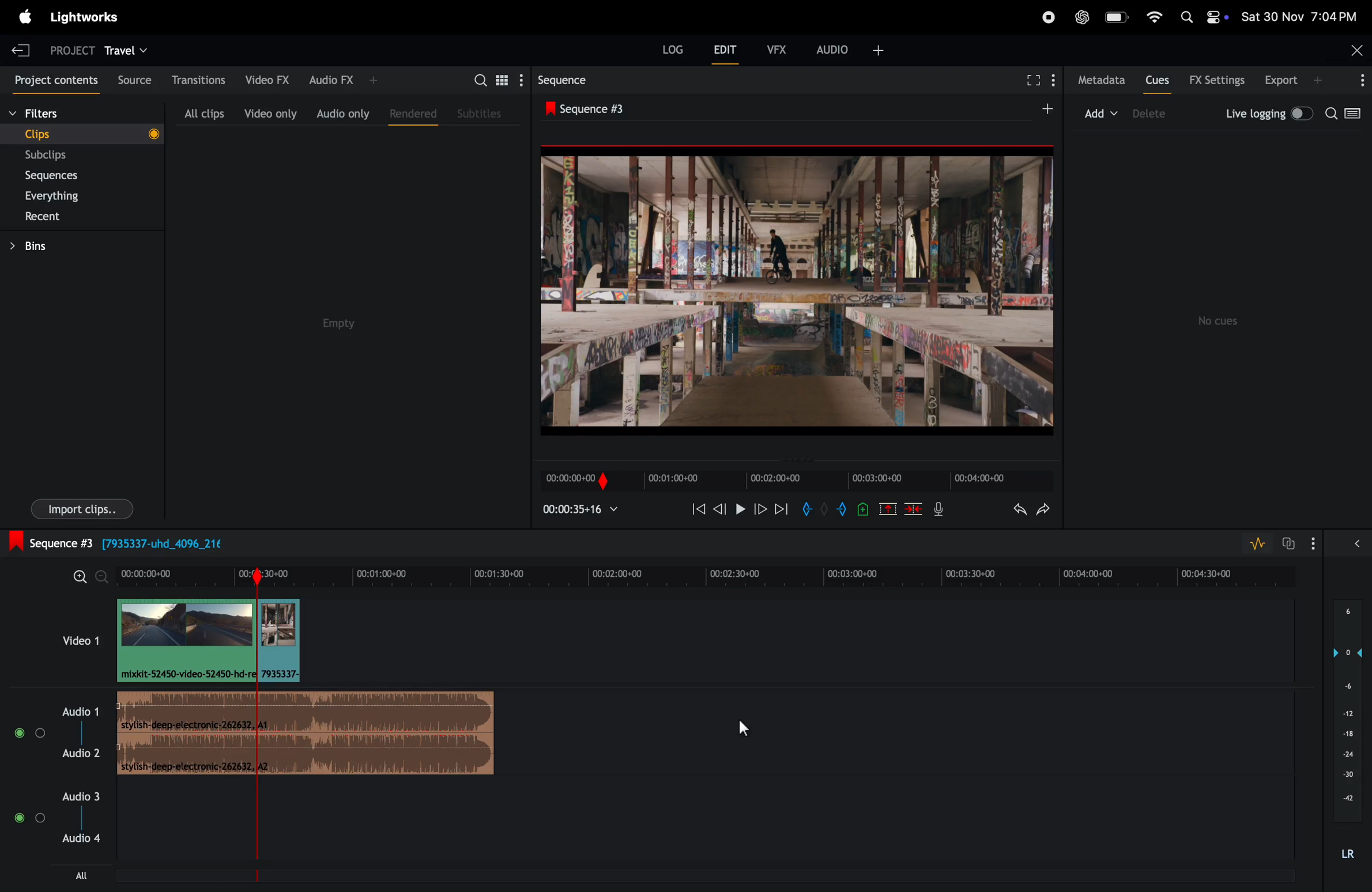  I want to click on subtitles, so click(482, 114).